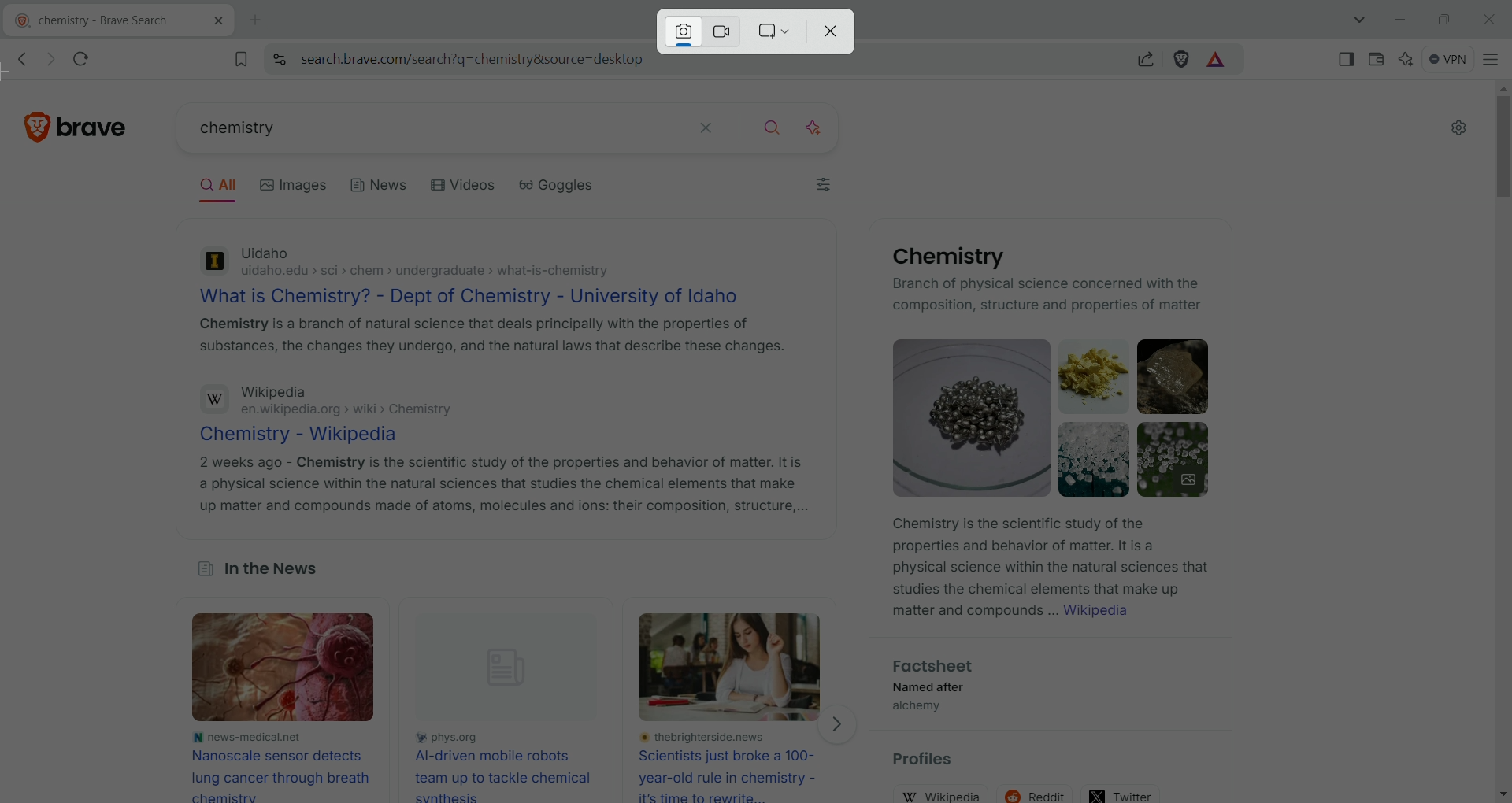 The image size is (1512, 803). What do you see at coordinates (943, 257) in the screenshot?
I see `Chemistry` at bounding box center [943, 257].